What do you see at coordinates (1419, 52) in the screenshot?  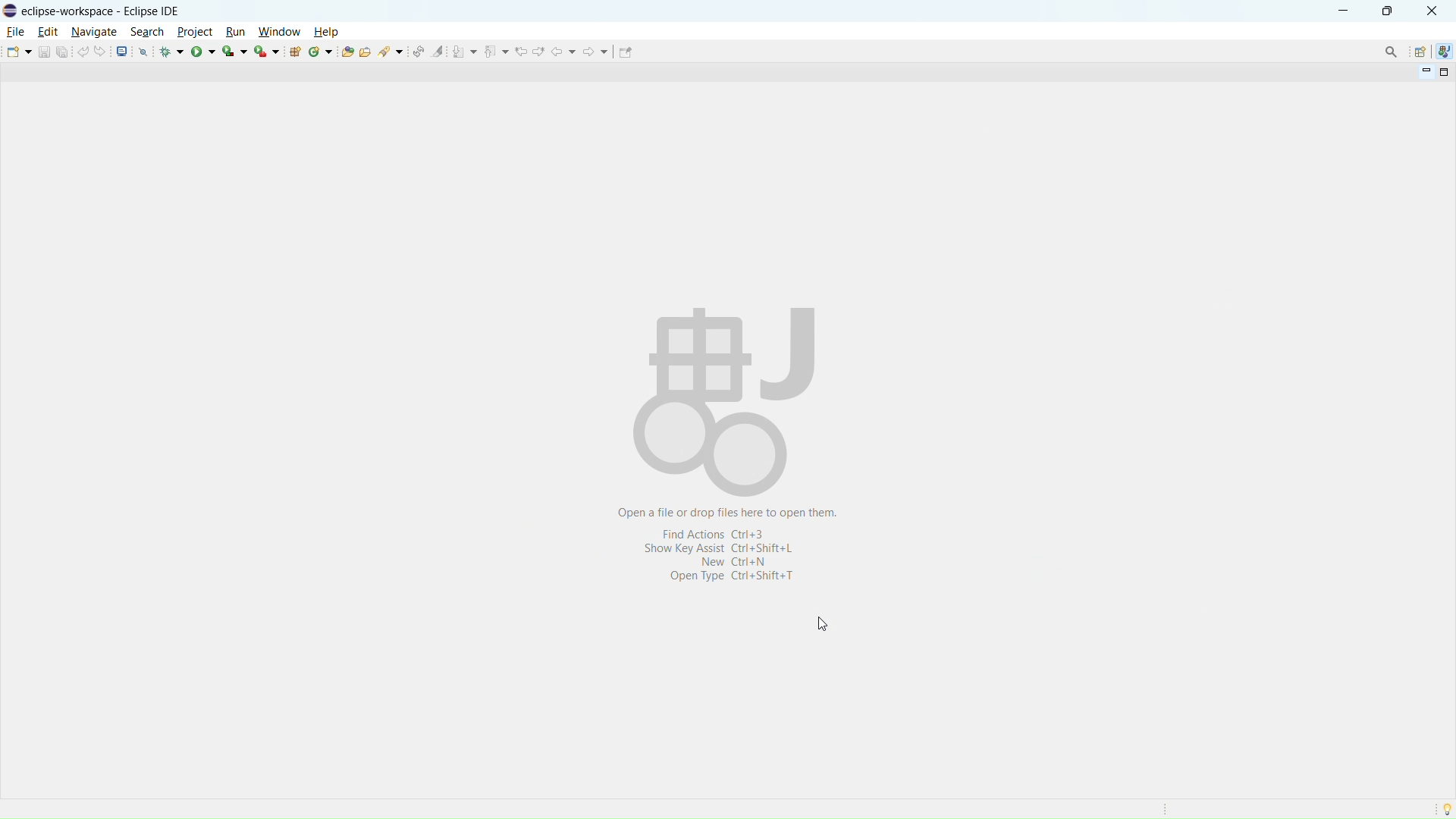 I see `open perspective` at bounding box center [1419, 52].